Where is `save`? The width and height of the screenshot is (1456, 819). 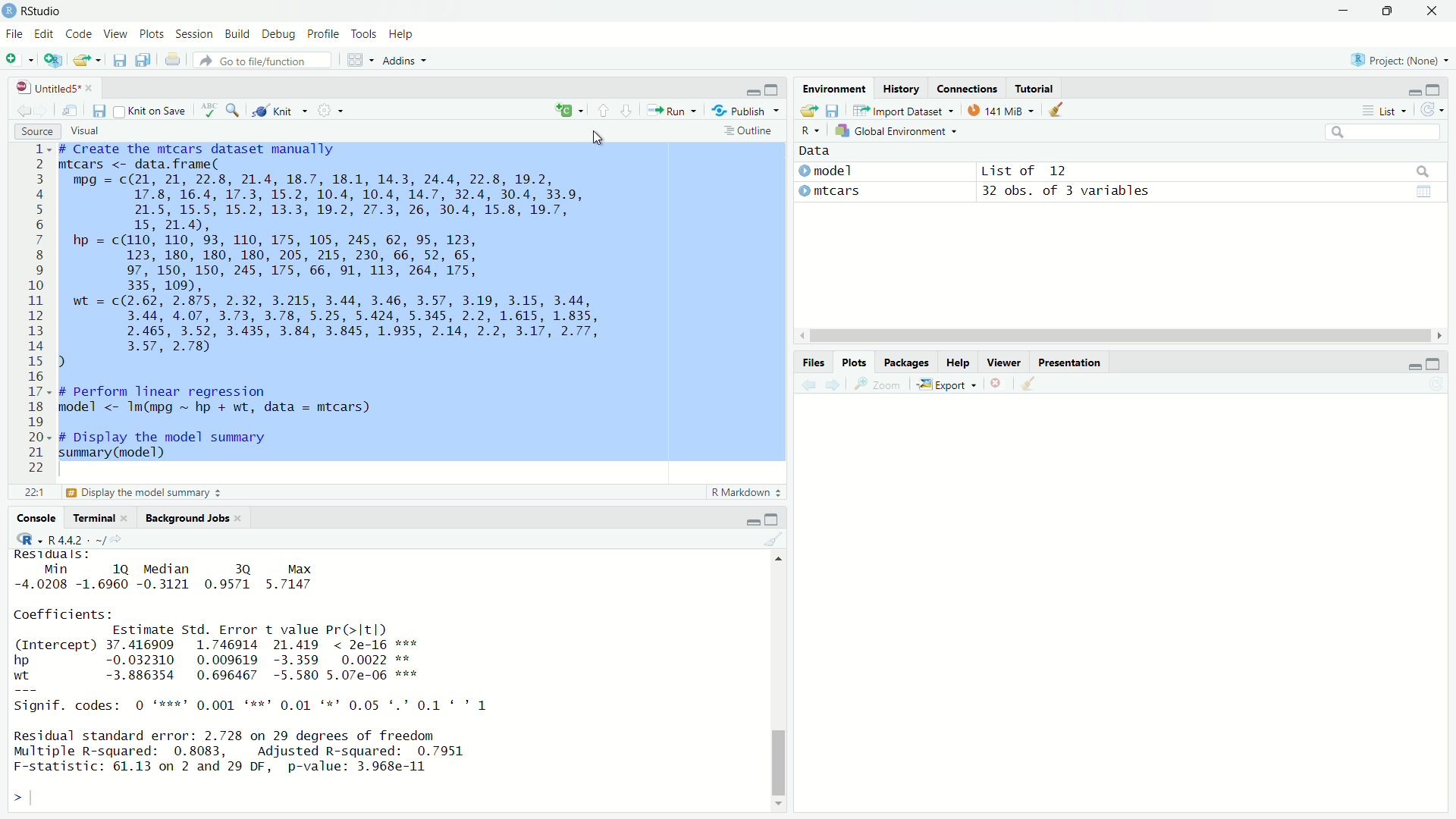 save is located at coordinates (121, 58).